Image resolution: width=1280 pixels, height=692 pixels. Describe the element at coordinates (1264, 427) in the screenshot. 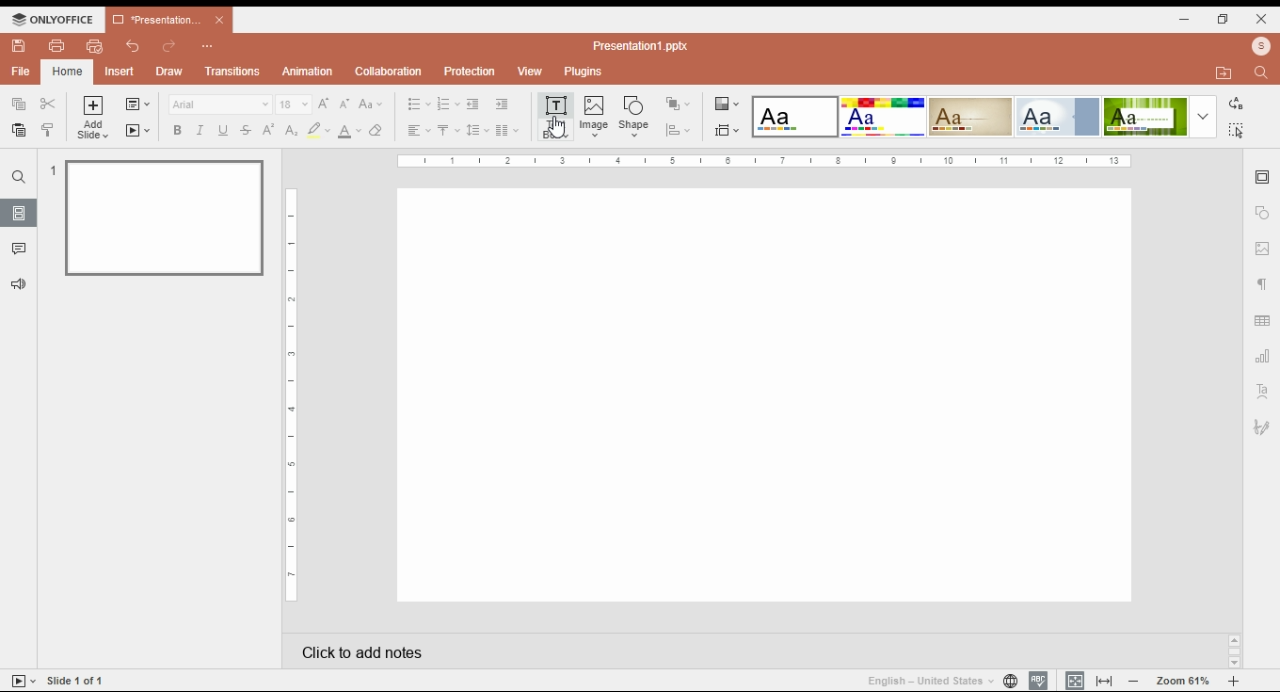

I see `Signature settings` at that location.